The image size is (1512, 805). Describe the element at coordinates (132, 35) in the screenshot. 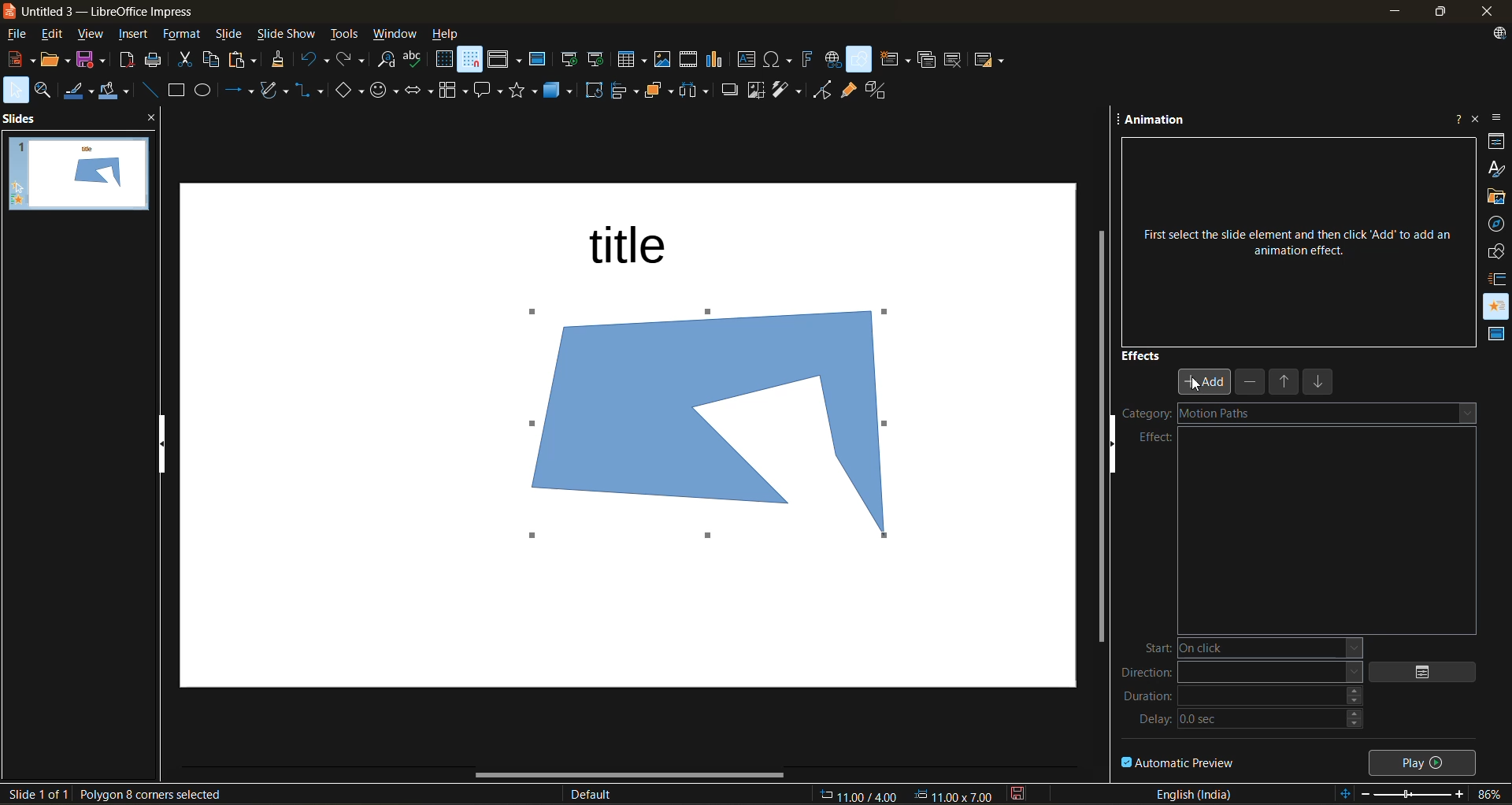

I see `insert` at that location.